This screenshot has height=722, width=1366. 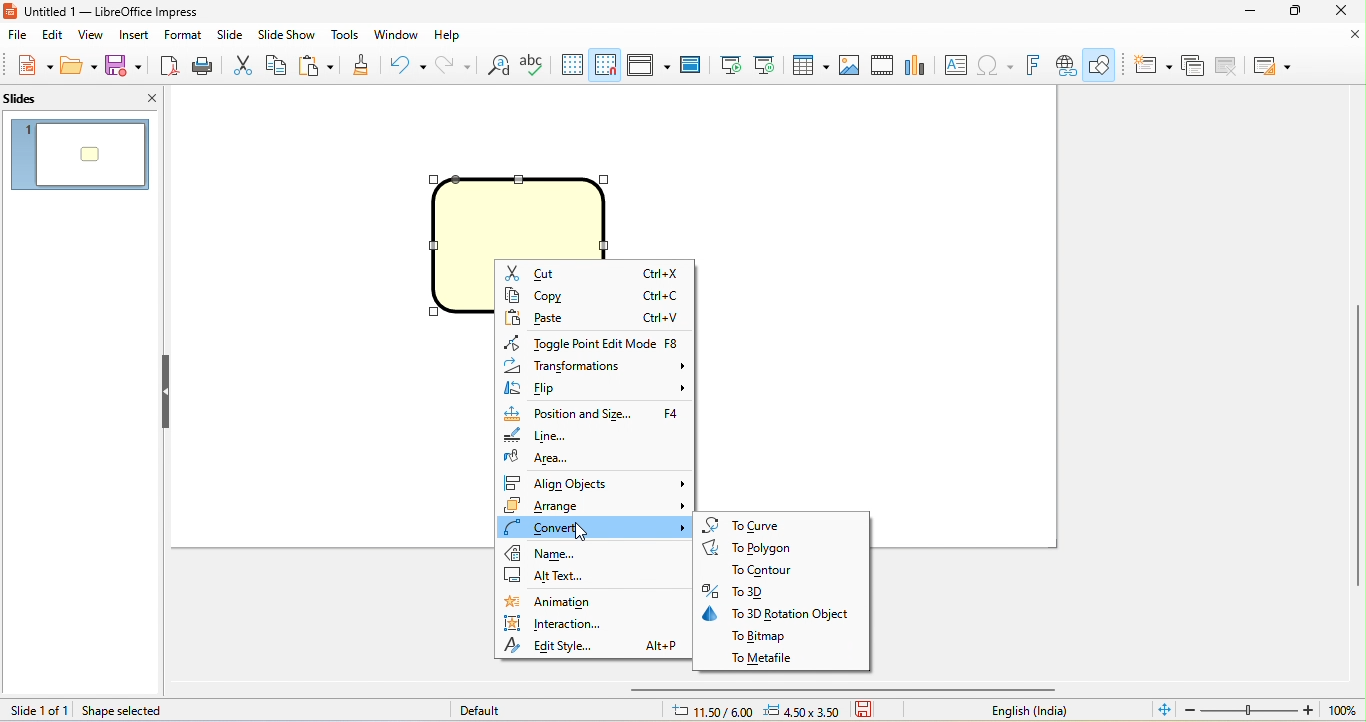 What do you see at coordinates (759, 639) in the screenshot?
I see `to bitmap` at bounding box center [759, 639].